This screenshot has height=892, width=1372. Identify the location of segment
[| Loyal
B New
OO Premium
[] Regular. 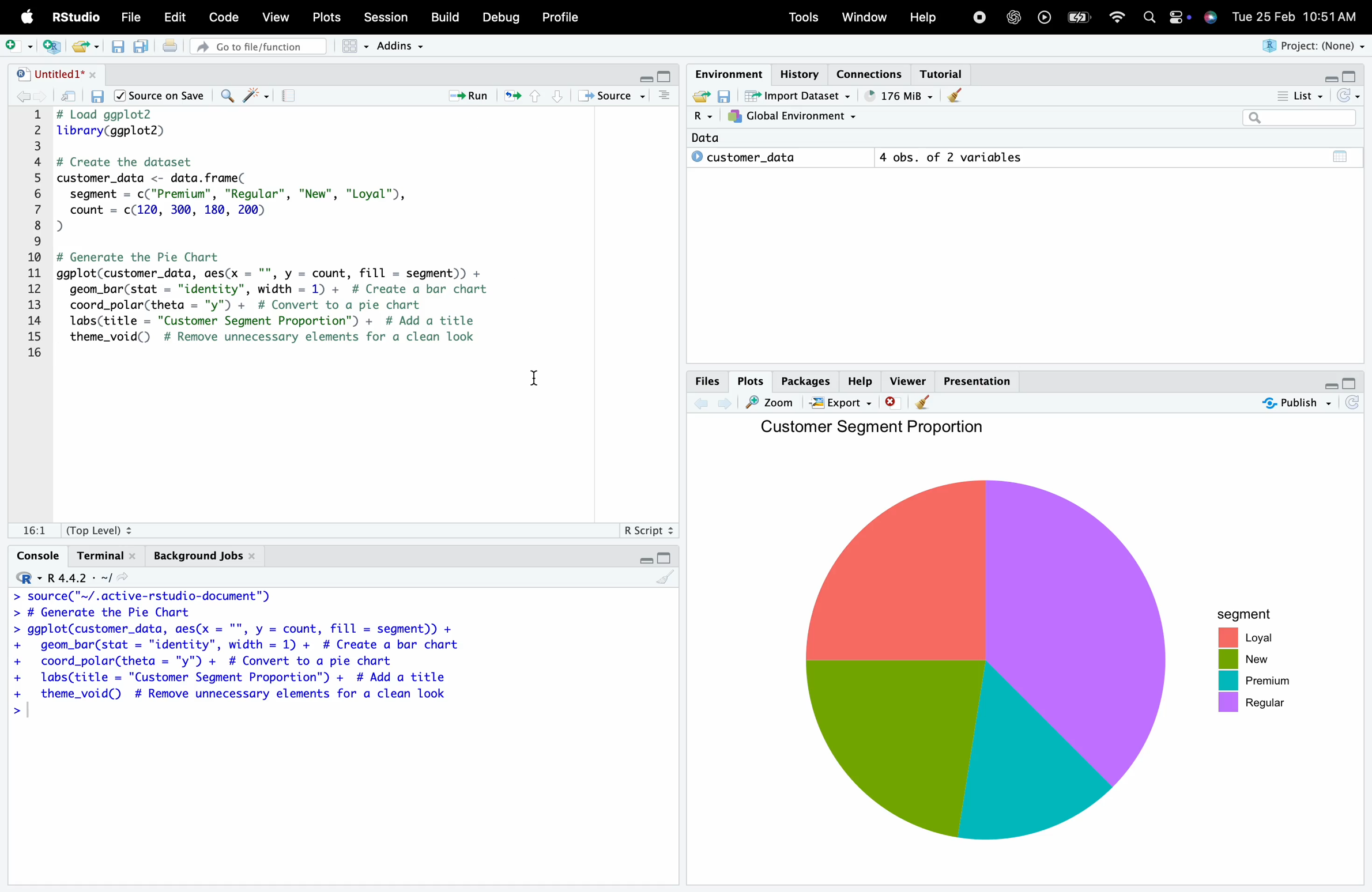
(1250, 664).